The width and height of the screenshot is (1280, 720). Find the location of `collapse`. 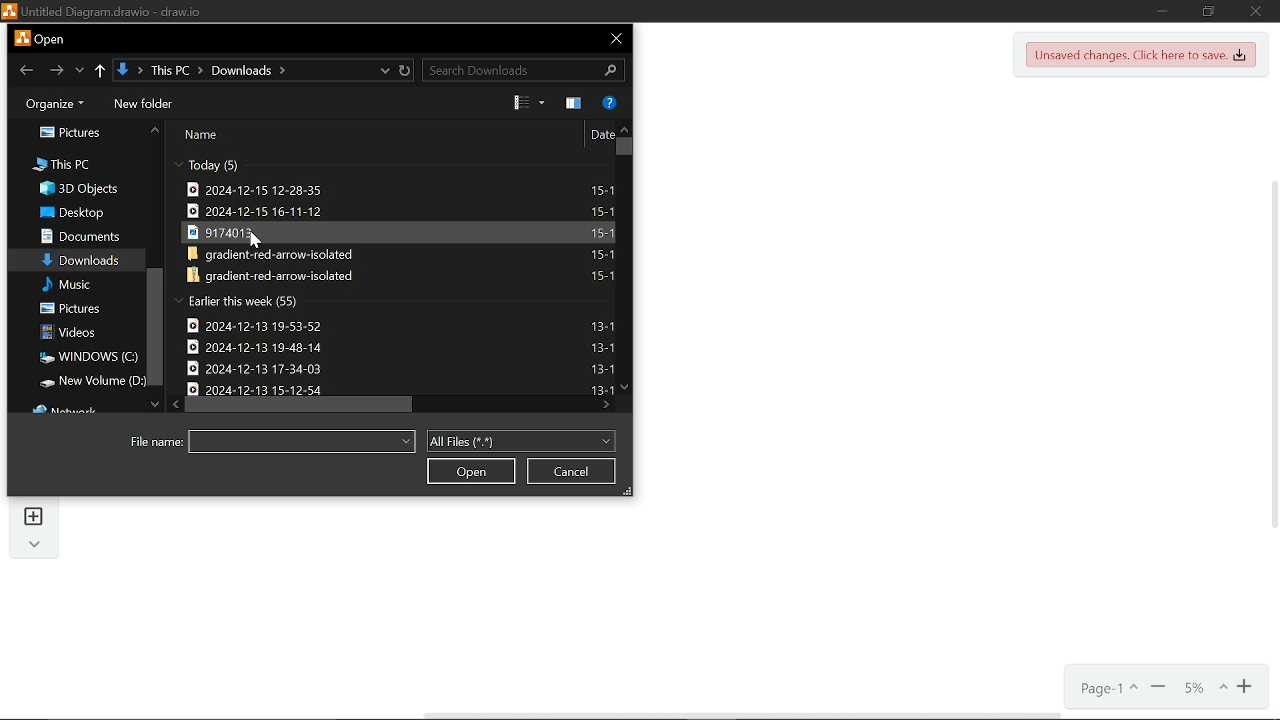

collapse is located at coordinates (176, 163).